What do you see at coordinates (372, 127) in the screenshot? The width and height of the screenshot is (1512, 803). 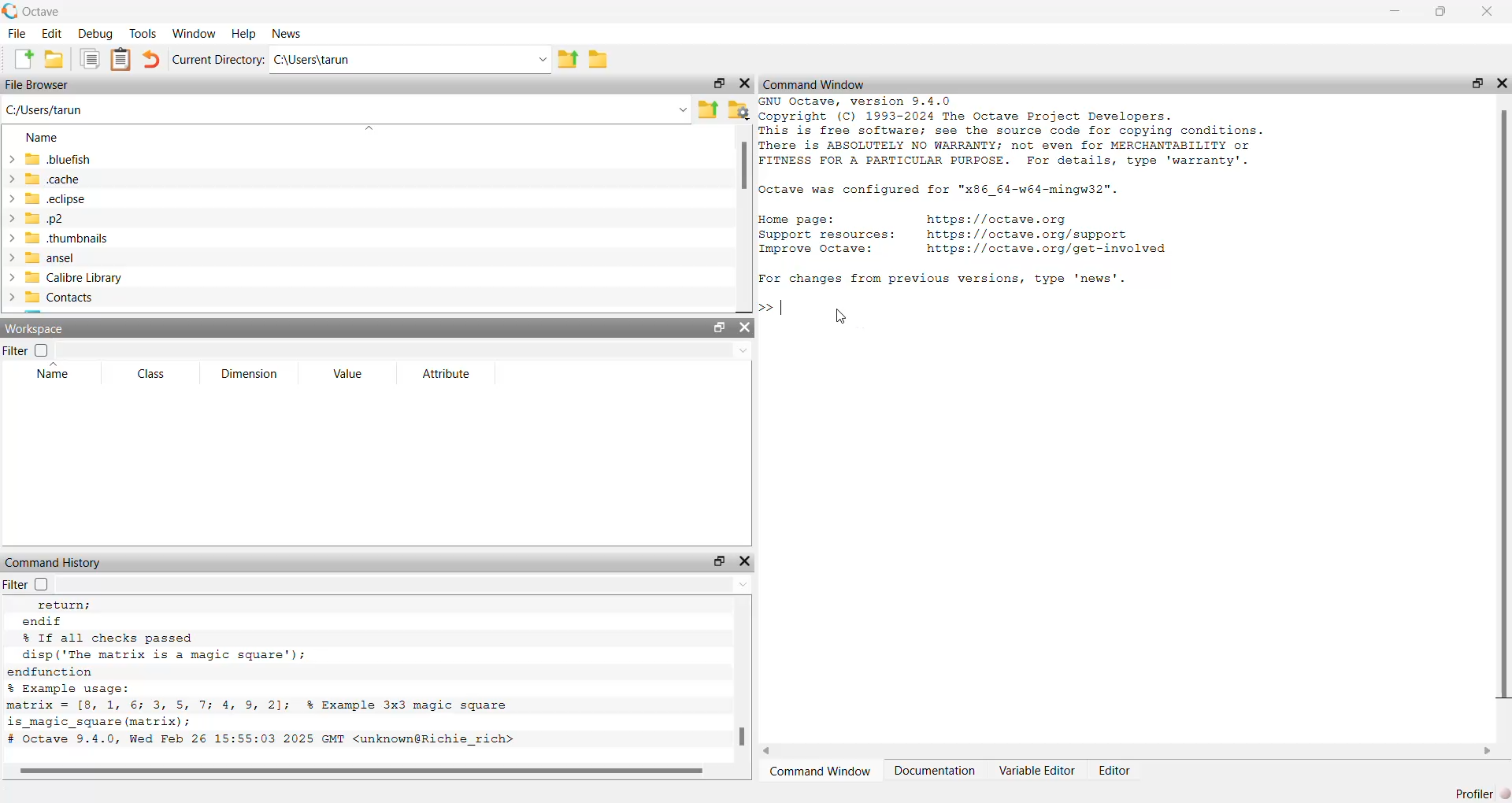 I see `dropdown` at bounding box center [372, 127].